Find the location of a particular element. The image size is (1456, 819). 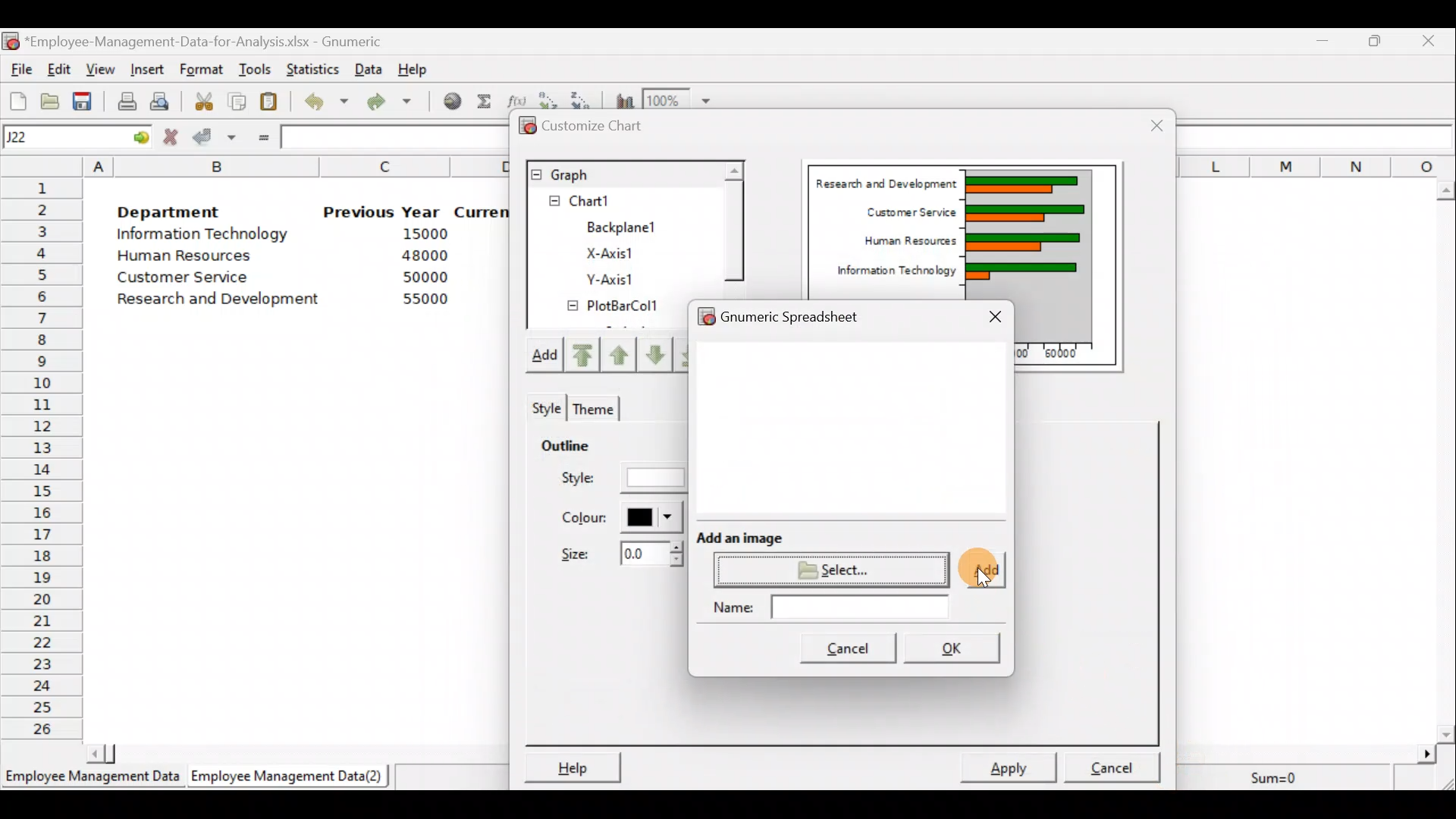

Cut the selection is located at coordinates (206, 104).